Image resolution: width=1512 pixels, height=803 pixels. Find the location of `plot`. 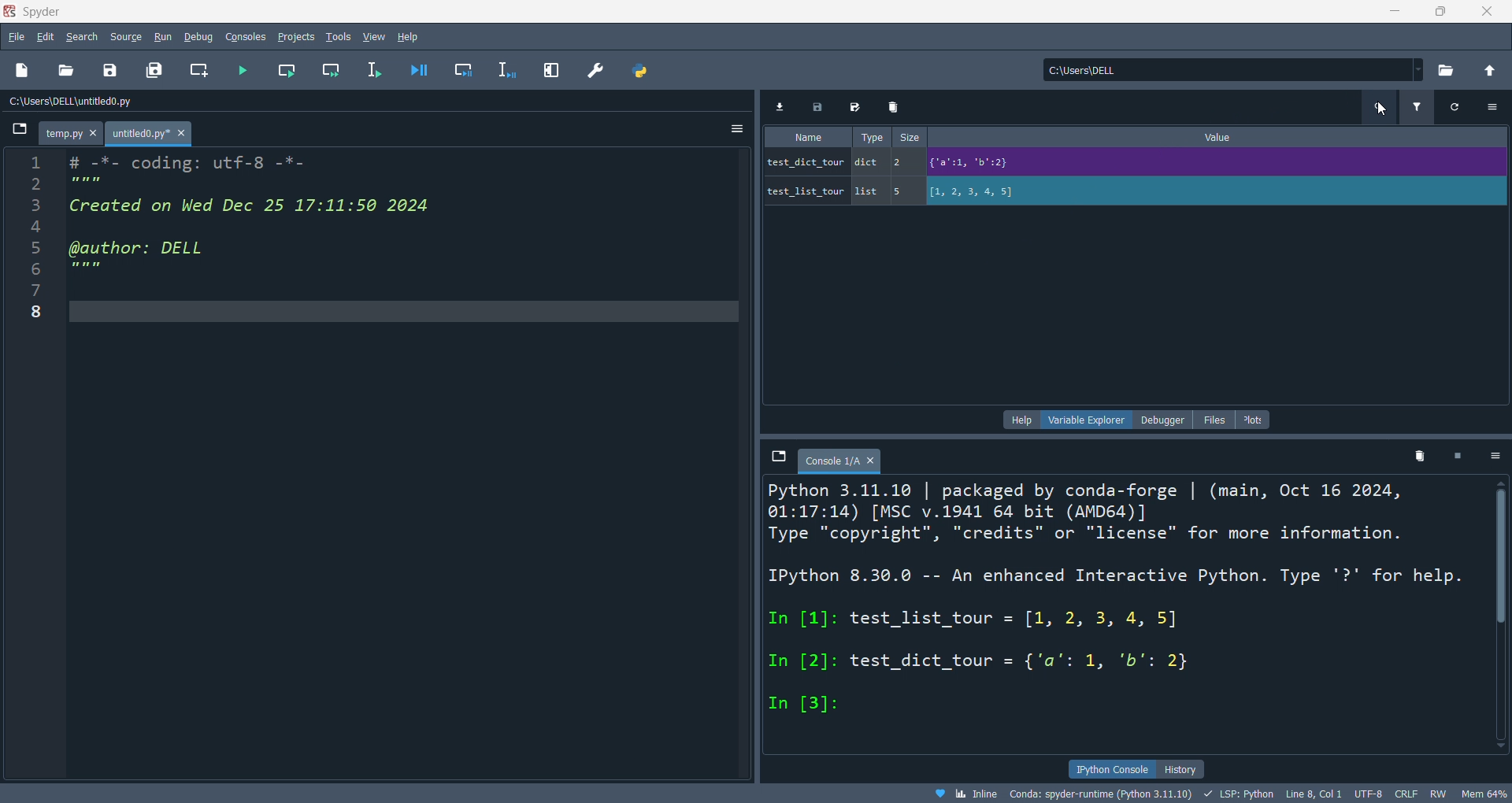

plot is located at coordinates (1256, 420).